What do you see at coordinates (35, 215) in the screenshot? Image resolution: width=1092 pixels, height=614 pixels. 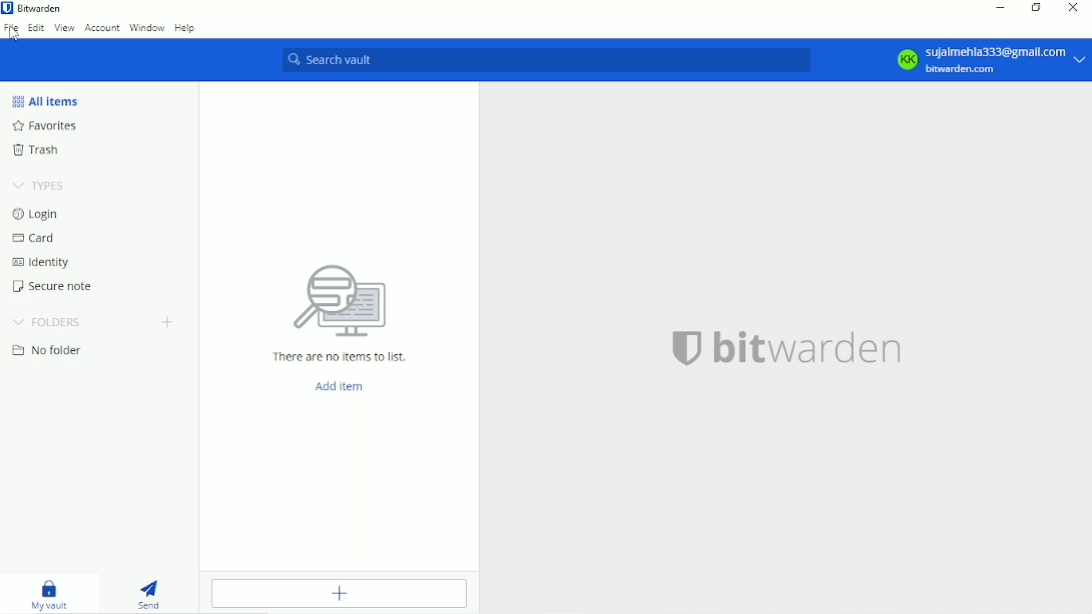 I see `Login` at bounding box center [35, 215].